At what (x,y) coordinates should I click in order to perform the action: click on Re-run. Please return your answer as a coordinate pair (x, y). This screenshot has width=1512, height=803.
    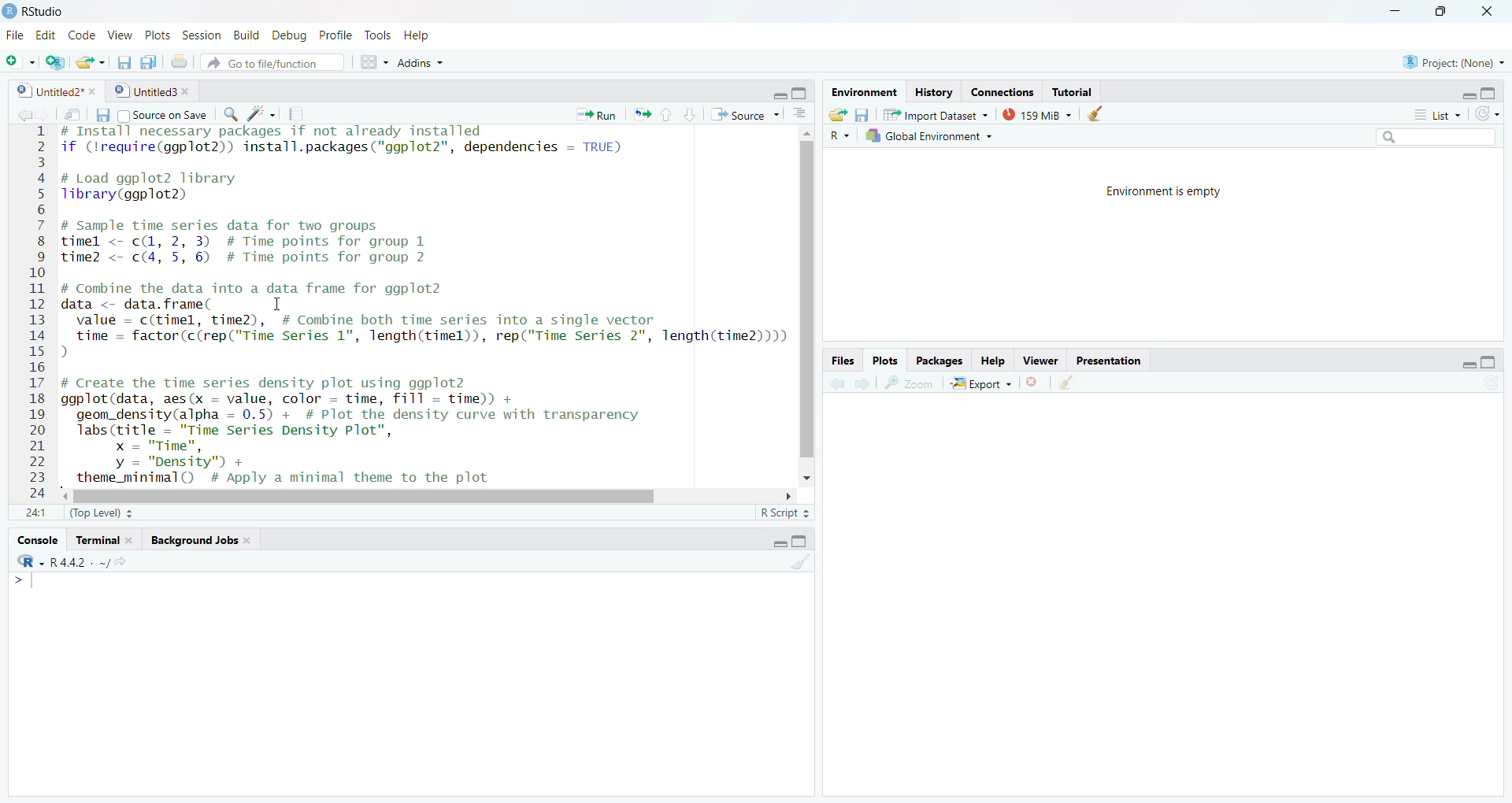
    Looking at the image, I should click on (641, 113).